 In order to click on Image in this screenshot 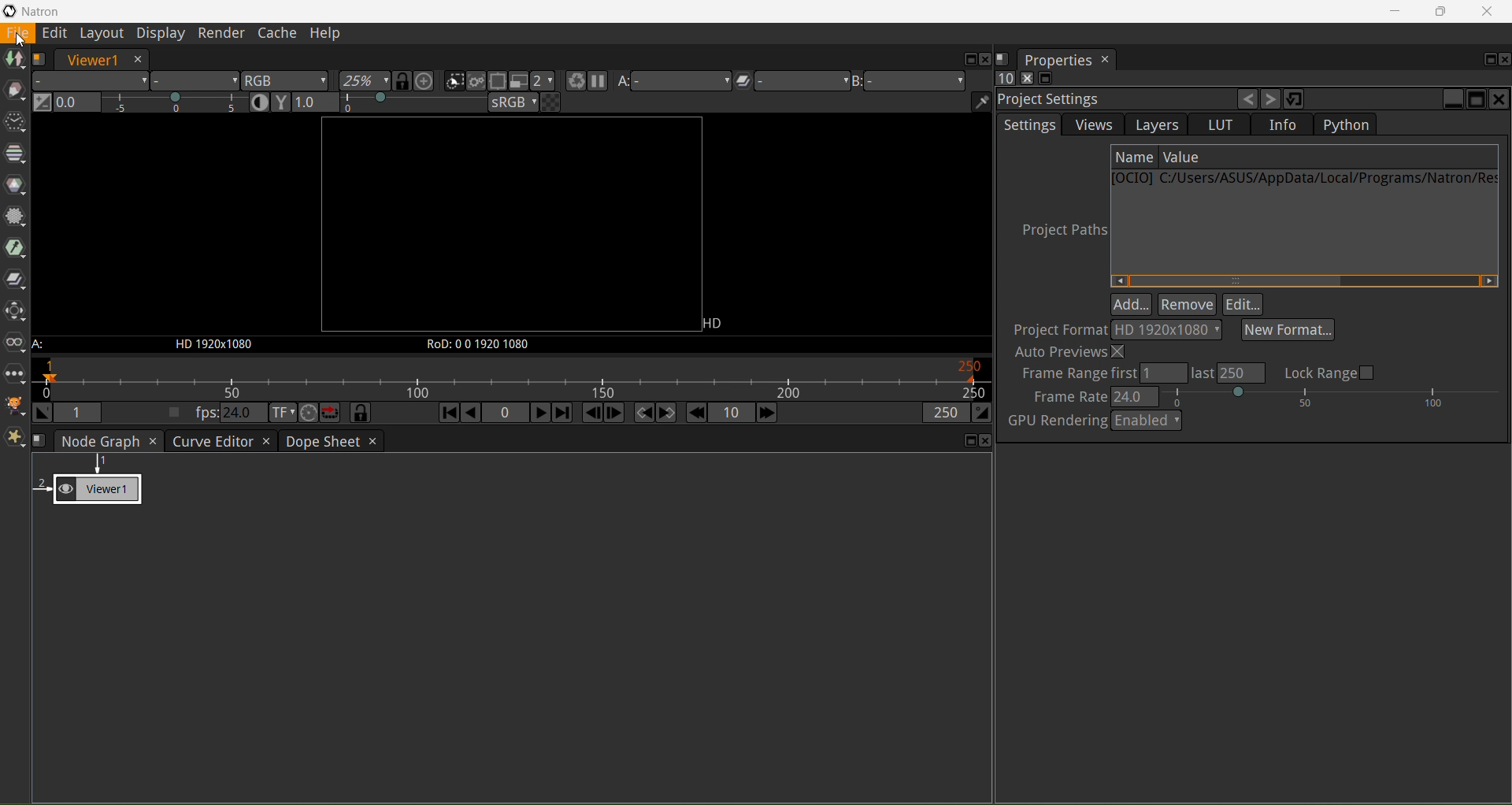, I will do `click(16, 61)`.